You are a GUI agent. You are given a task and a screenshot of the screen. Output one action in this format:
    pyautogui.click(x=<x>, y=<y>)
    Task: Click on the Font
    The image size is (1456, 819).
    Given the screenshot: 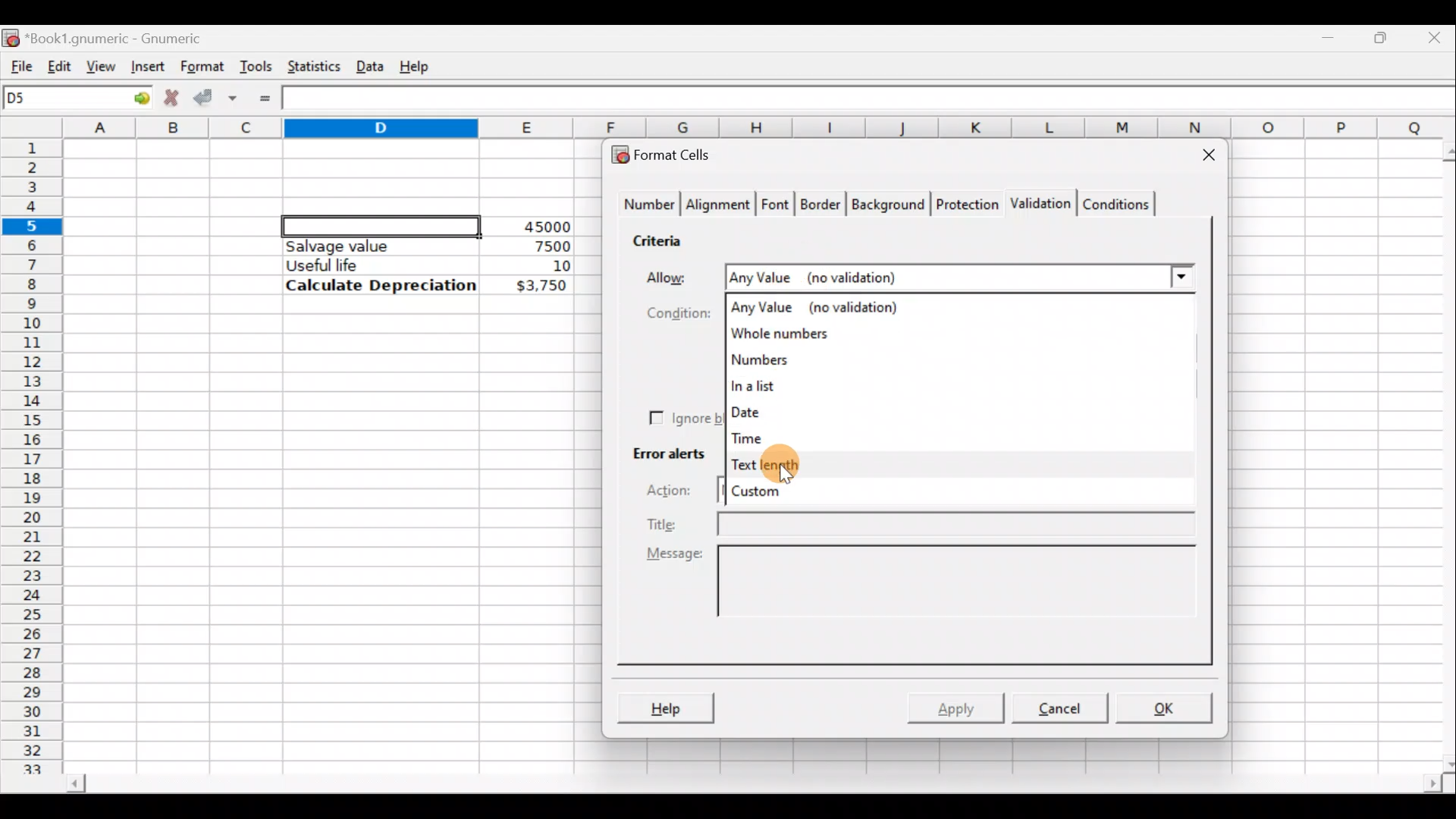 What is the action you would take?
    pyautogui.click(x=777, y=206)
    